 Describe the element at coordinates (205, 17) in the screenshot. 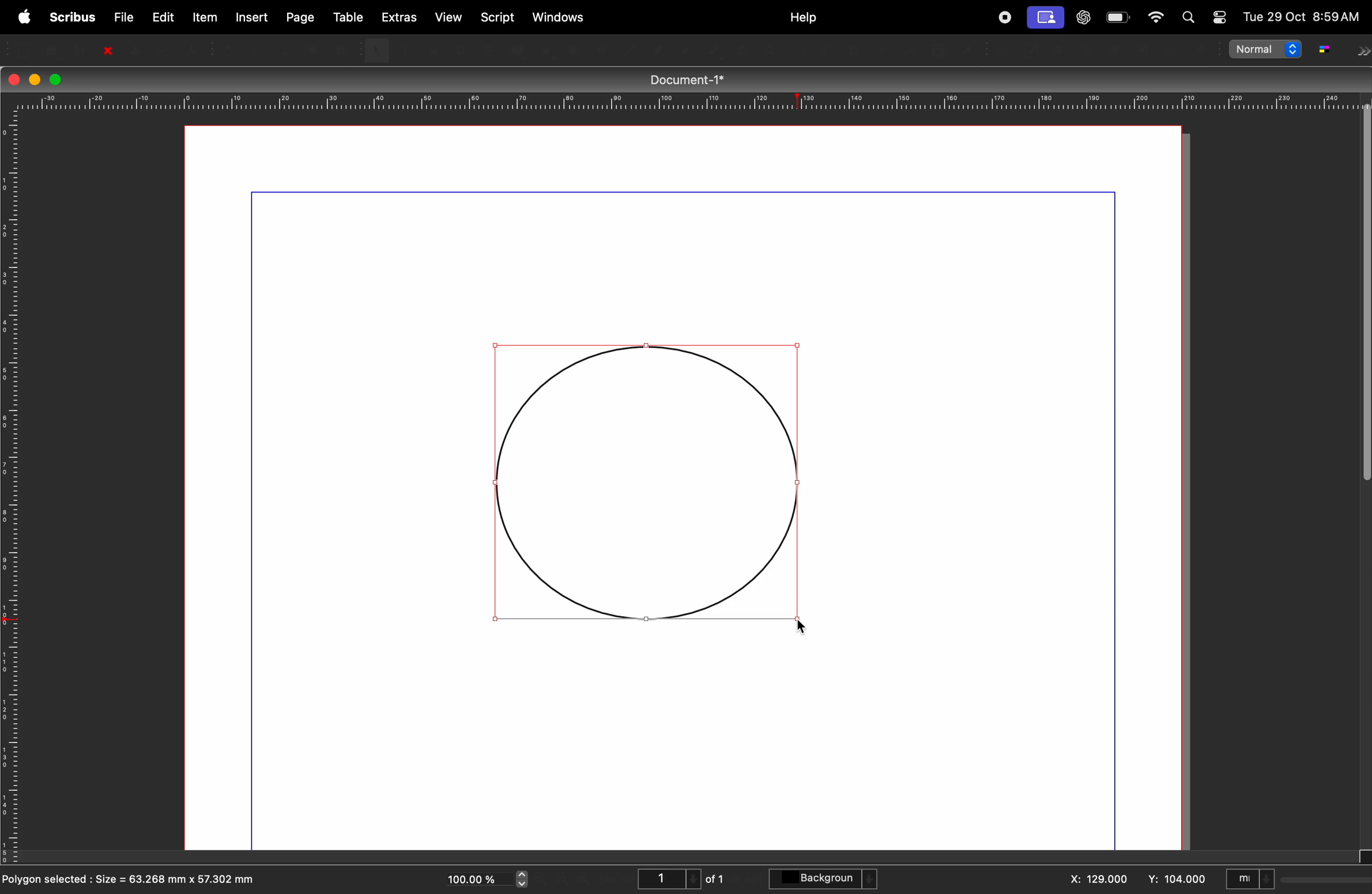

I see `item` at that location.